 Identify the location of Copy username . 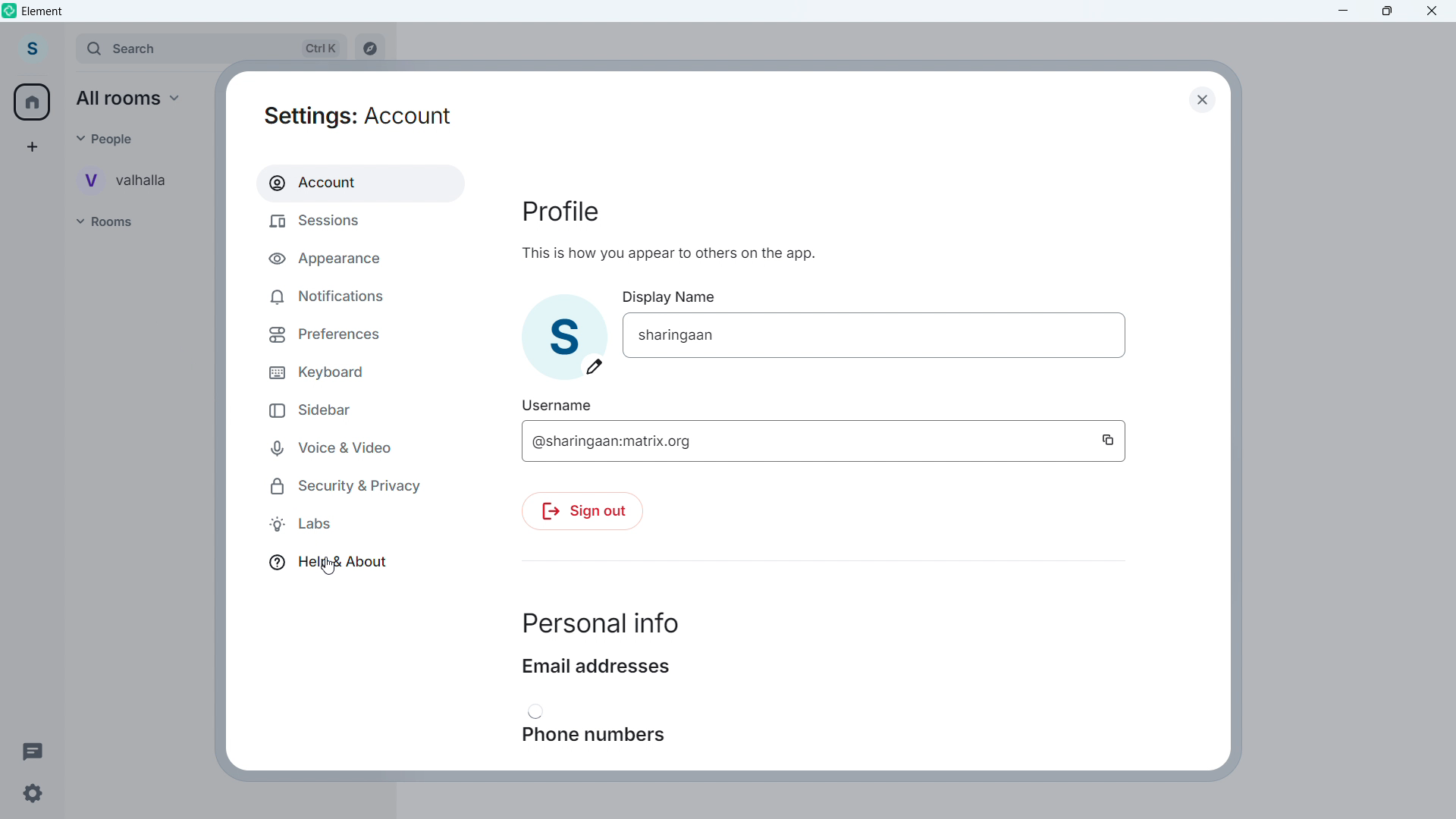
(1100, 441).